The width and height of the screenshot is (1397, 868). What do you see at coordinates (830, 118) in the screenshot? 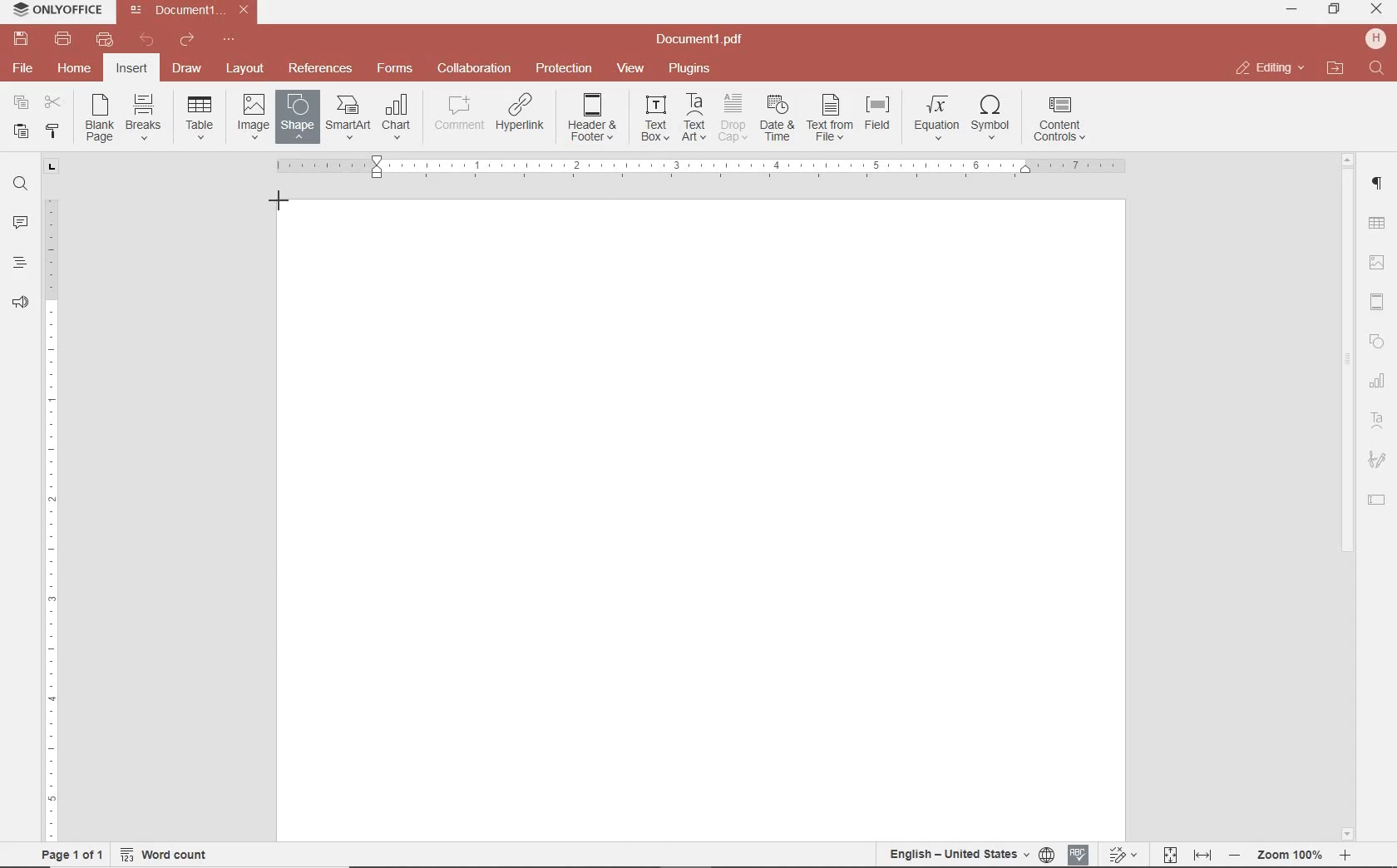
I see `TEXT FROM  FILE` at bounding box center [830, 118].